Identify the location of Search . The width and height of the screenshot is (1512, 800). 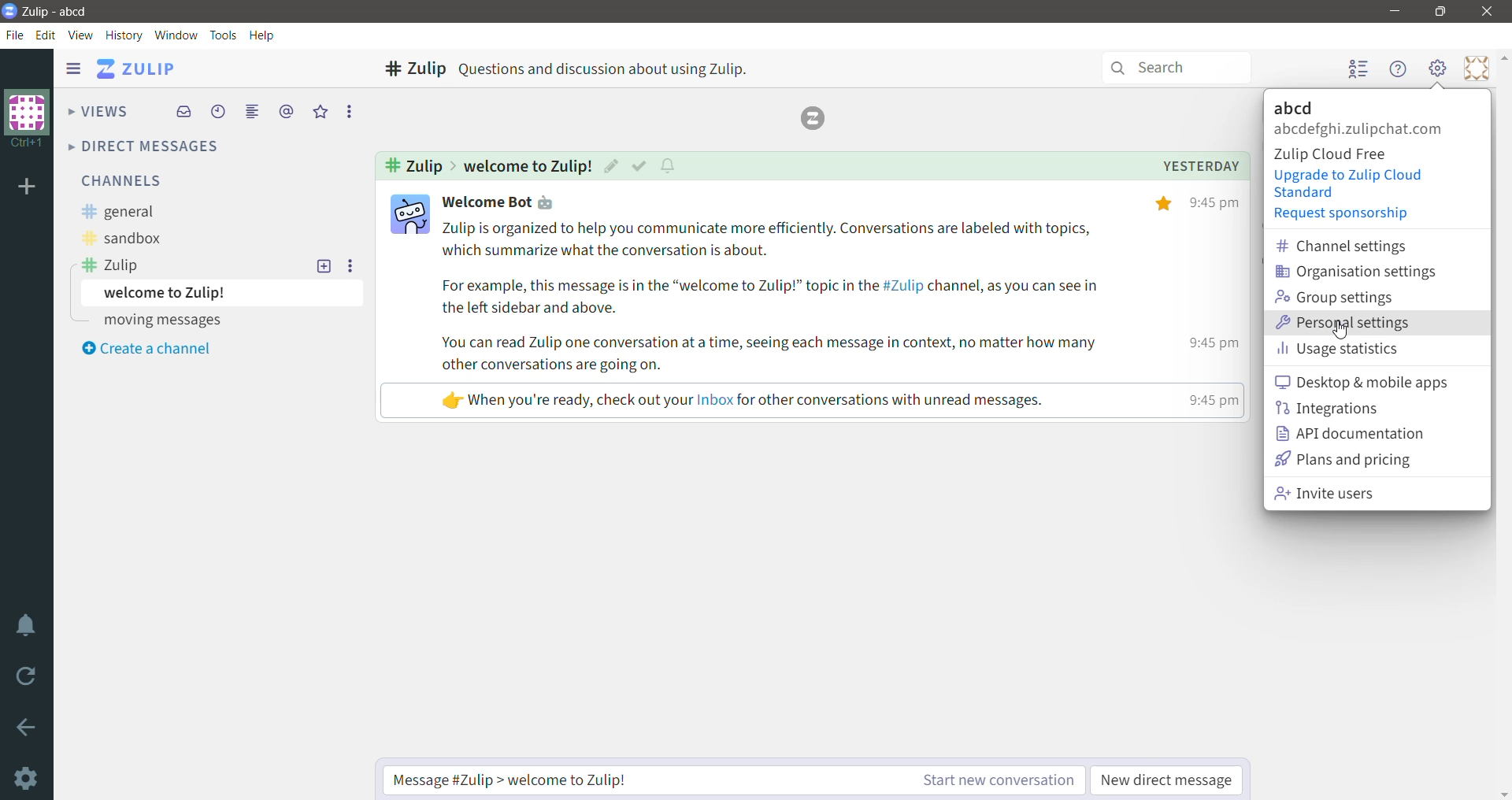
(1174, 69).